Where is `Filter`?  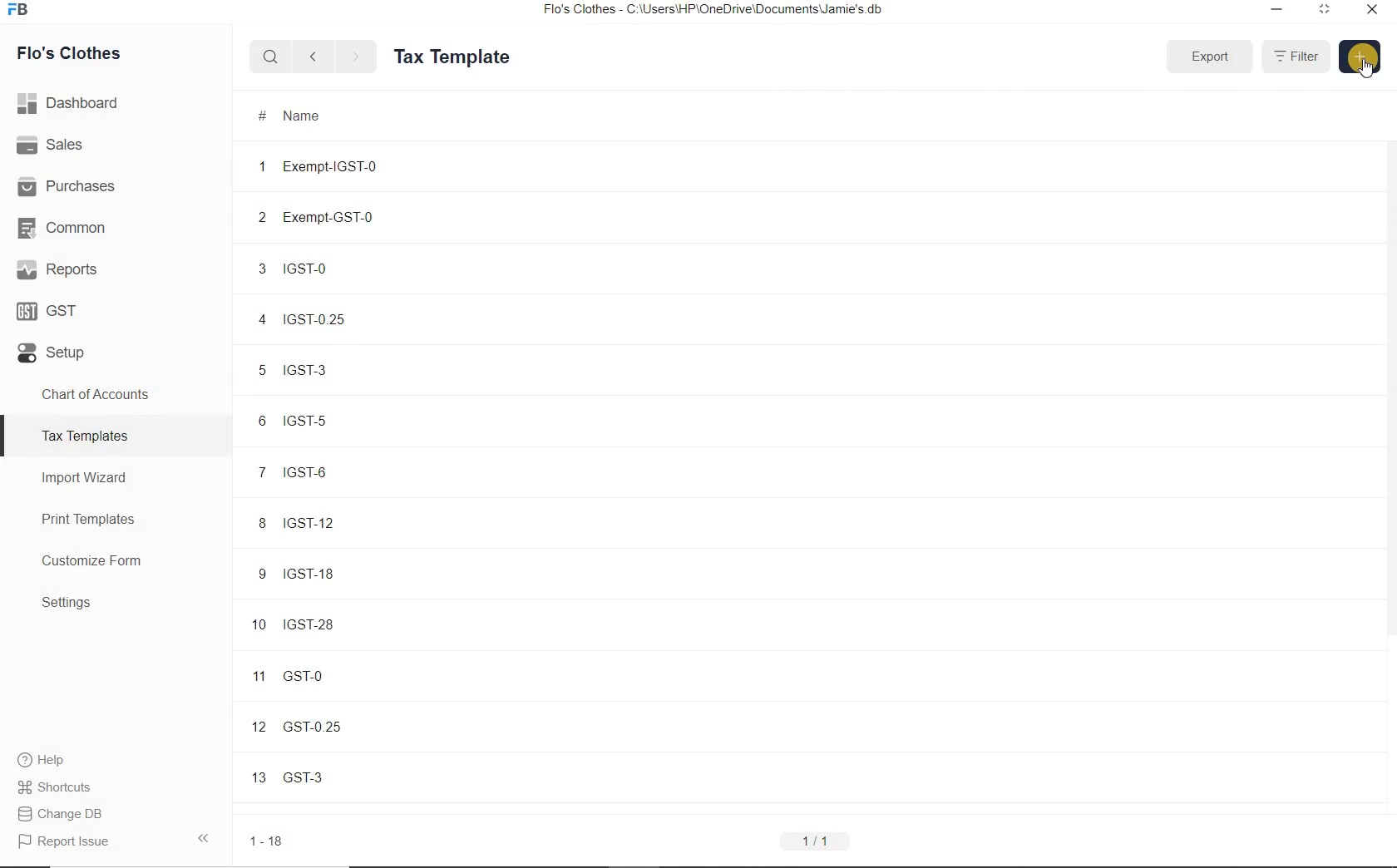
Filter is located at coordinates (1294, 57).